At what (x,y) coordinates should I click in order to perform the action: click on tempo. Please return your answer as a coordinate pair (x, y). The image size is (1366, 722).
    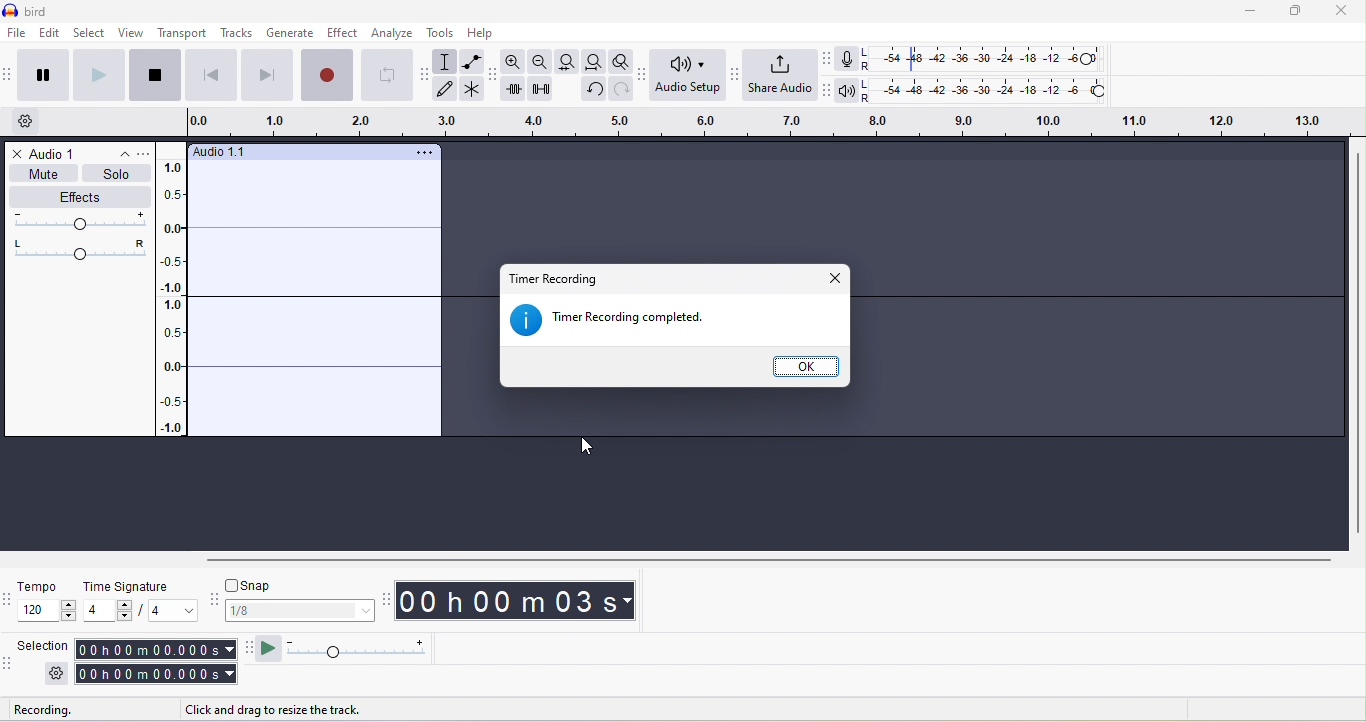
    Looking at the image, I should click on (48, 613).